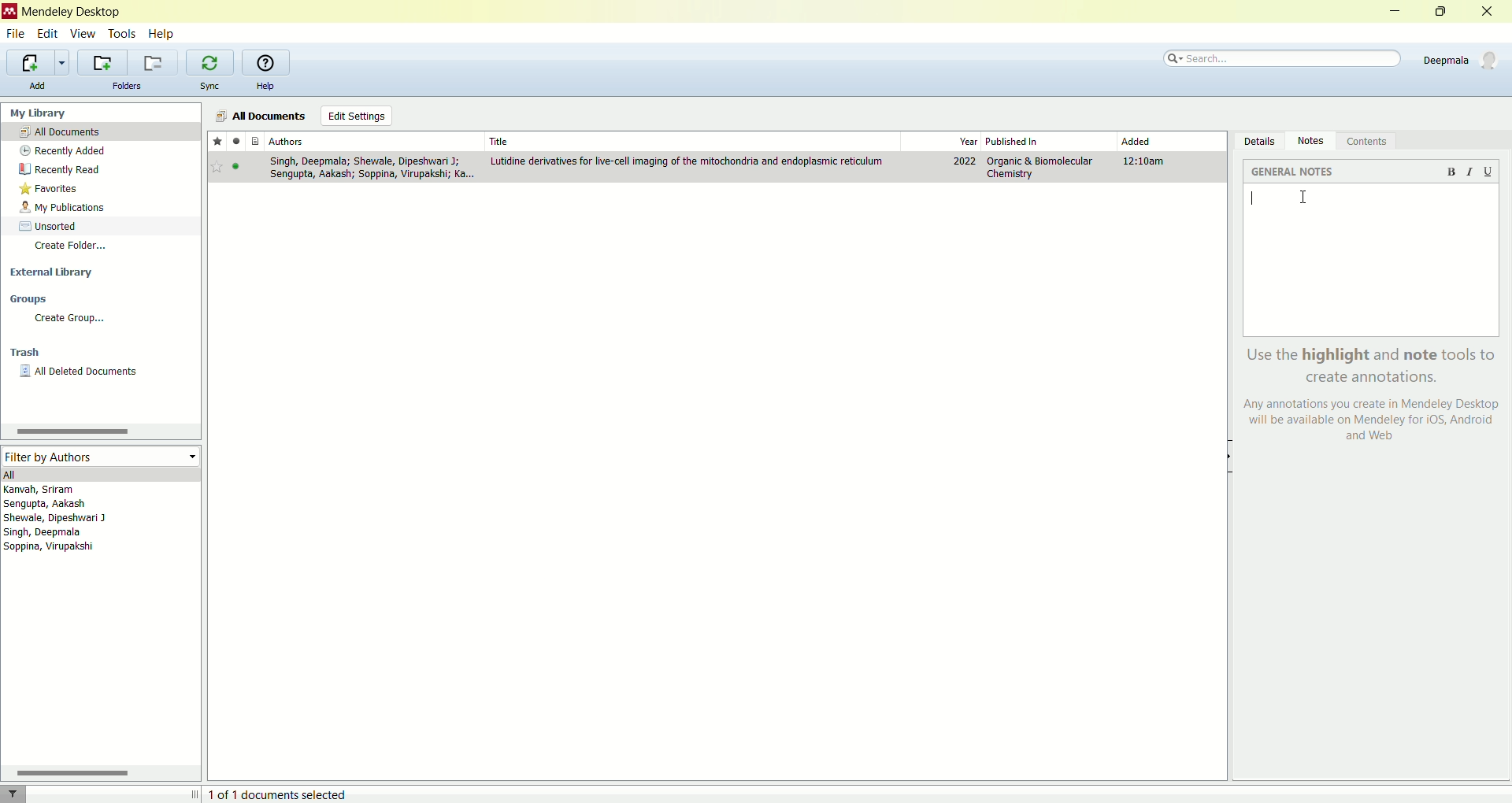  Describe the element at coordinates (1310, 142) in the screenshot. I see `notes` at that location.